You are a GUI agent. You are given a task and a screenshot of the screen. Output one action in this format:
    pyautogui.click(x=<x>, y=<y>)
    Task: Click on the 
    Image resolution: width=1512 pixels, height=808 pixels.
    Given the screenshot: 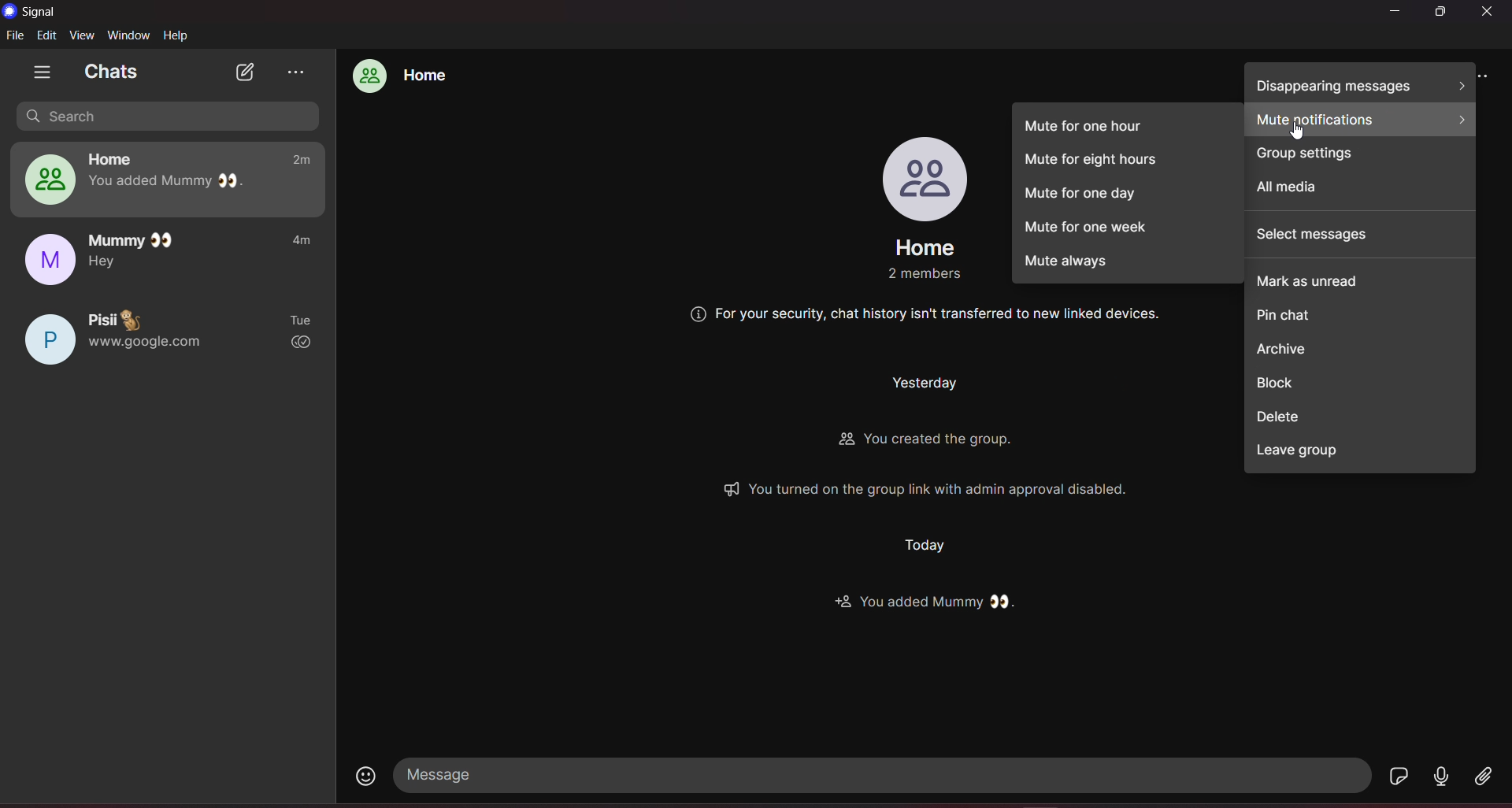 What is the action you would take?
    pyautogui.click(x=925, y=490)
    